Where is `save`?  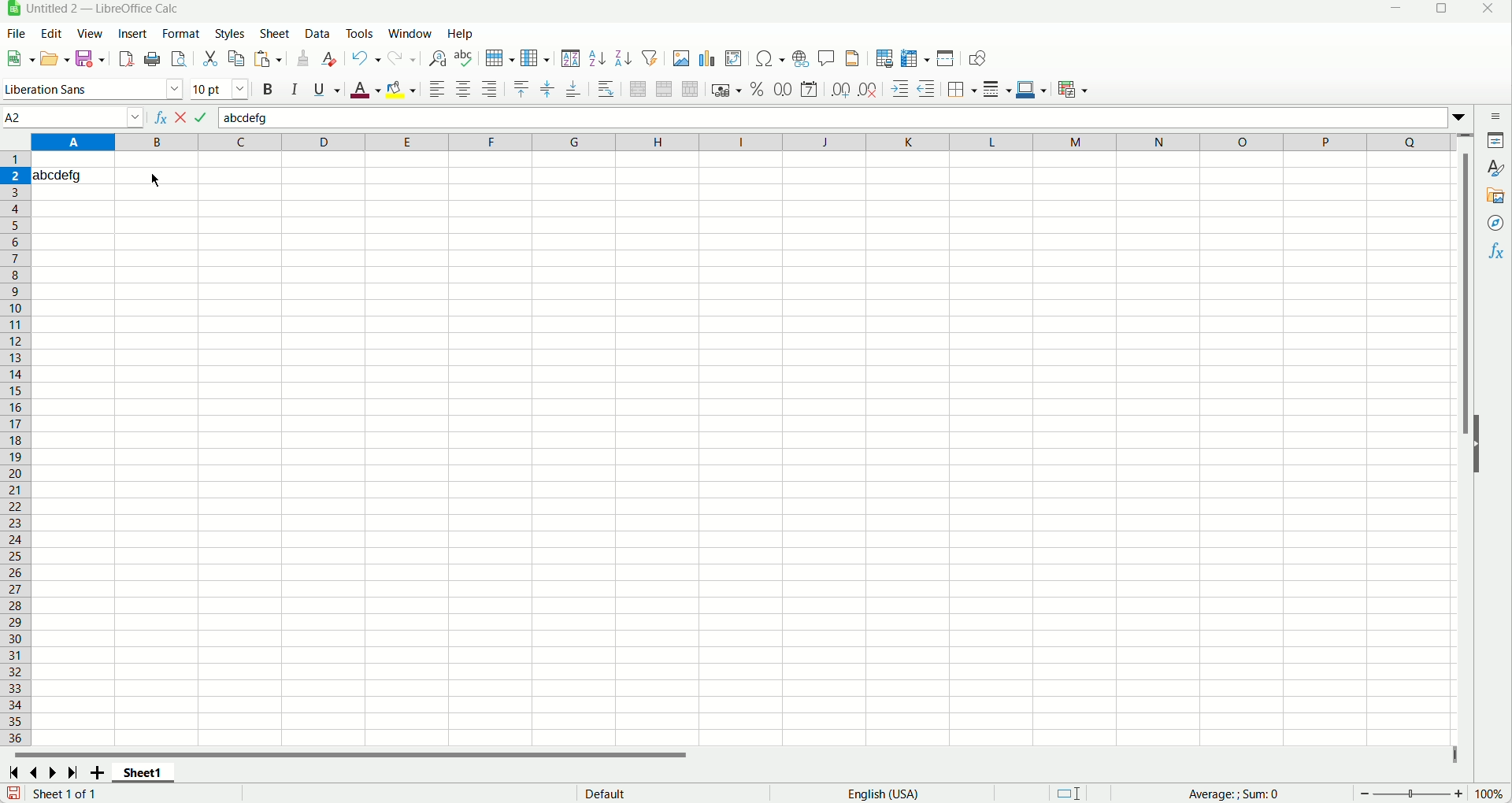 save is located at coordinates (91, 58).